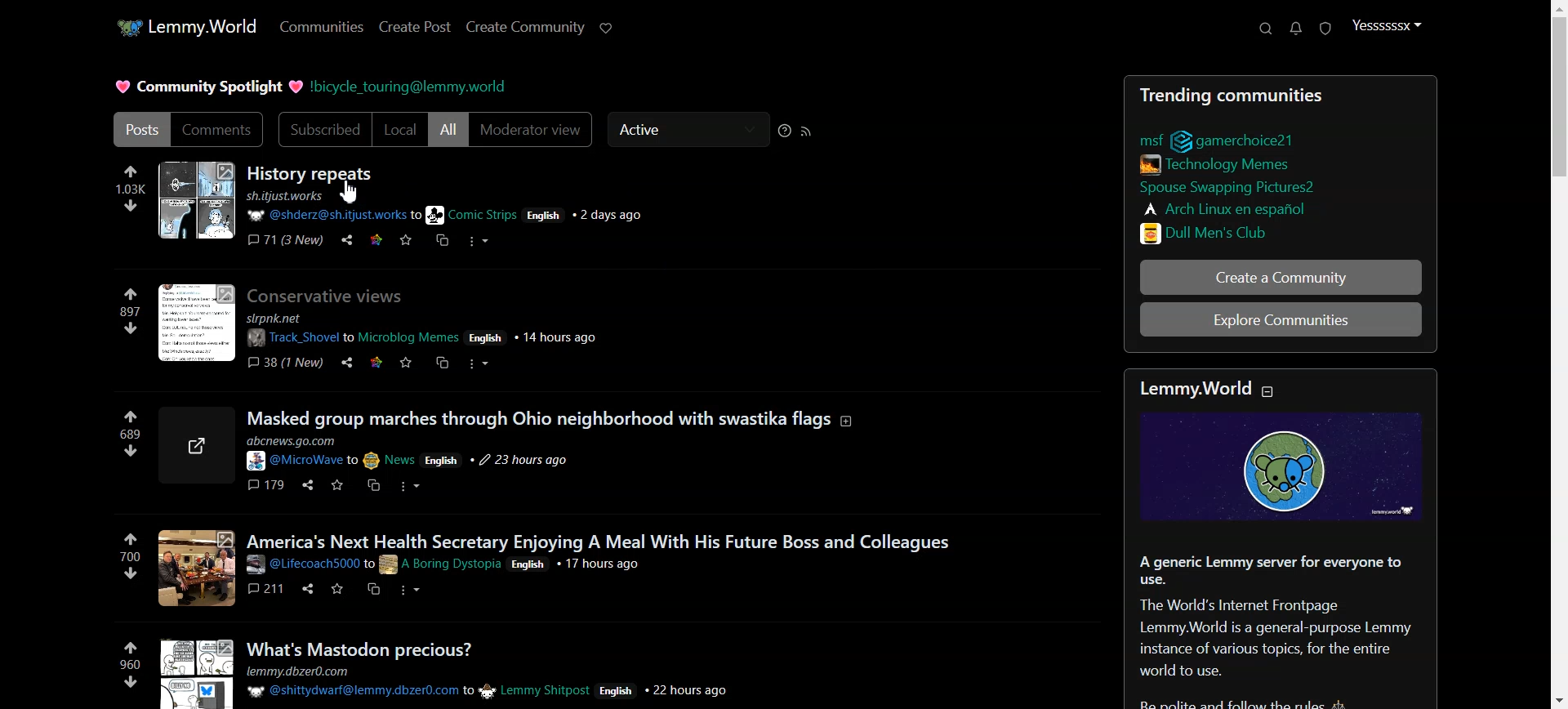  What do you see at coordinates (269, 484) in the screenshot?
I see `179` at bounding box center [269, 484].